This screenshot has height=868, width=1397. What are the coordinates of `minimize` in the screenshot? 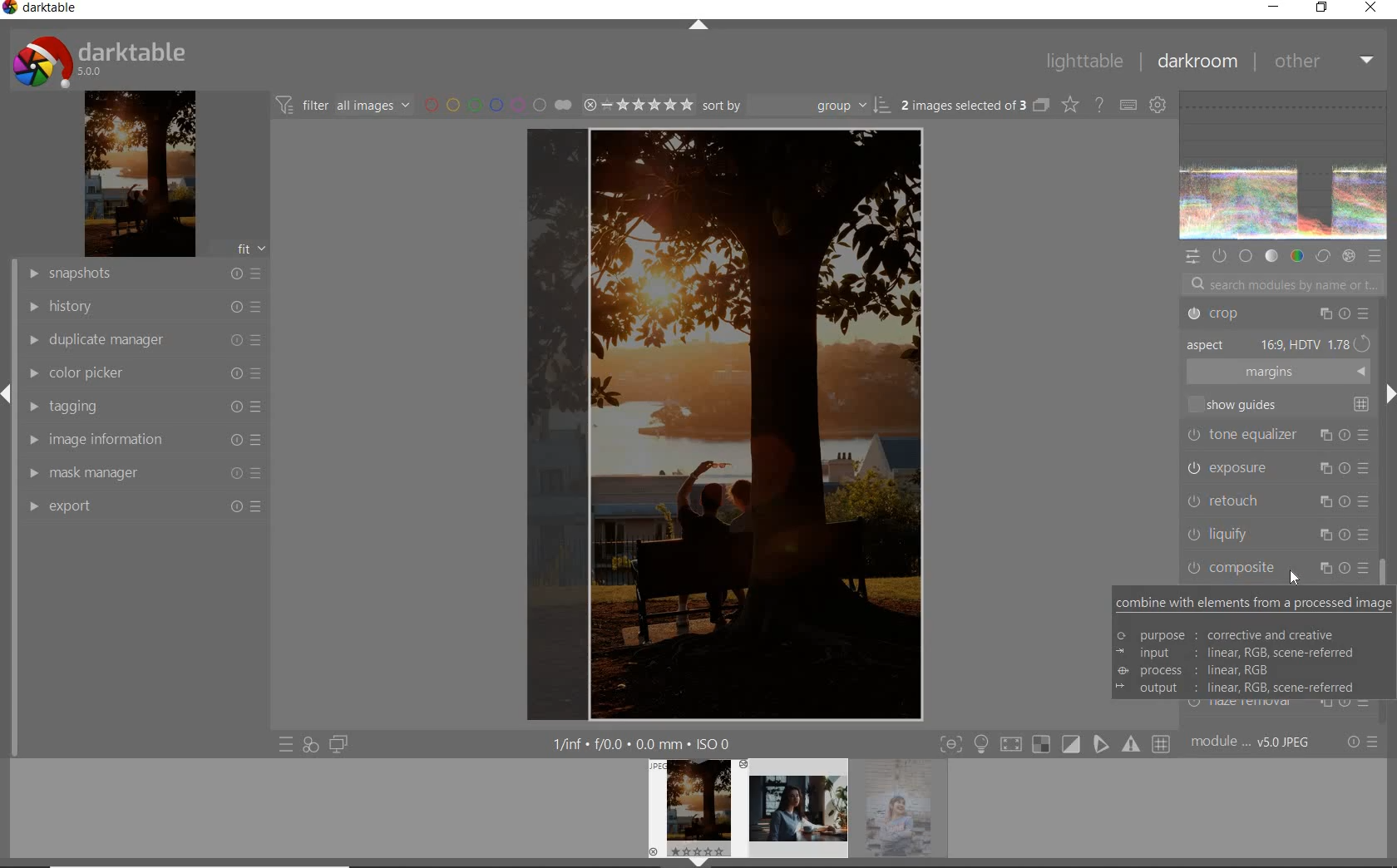 It's located at (1273, 6).